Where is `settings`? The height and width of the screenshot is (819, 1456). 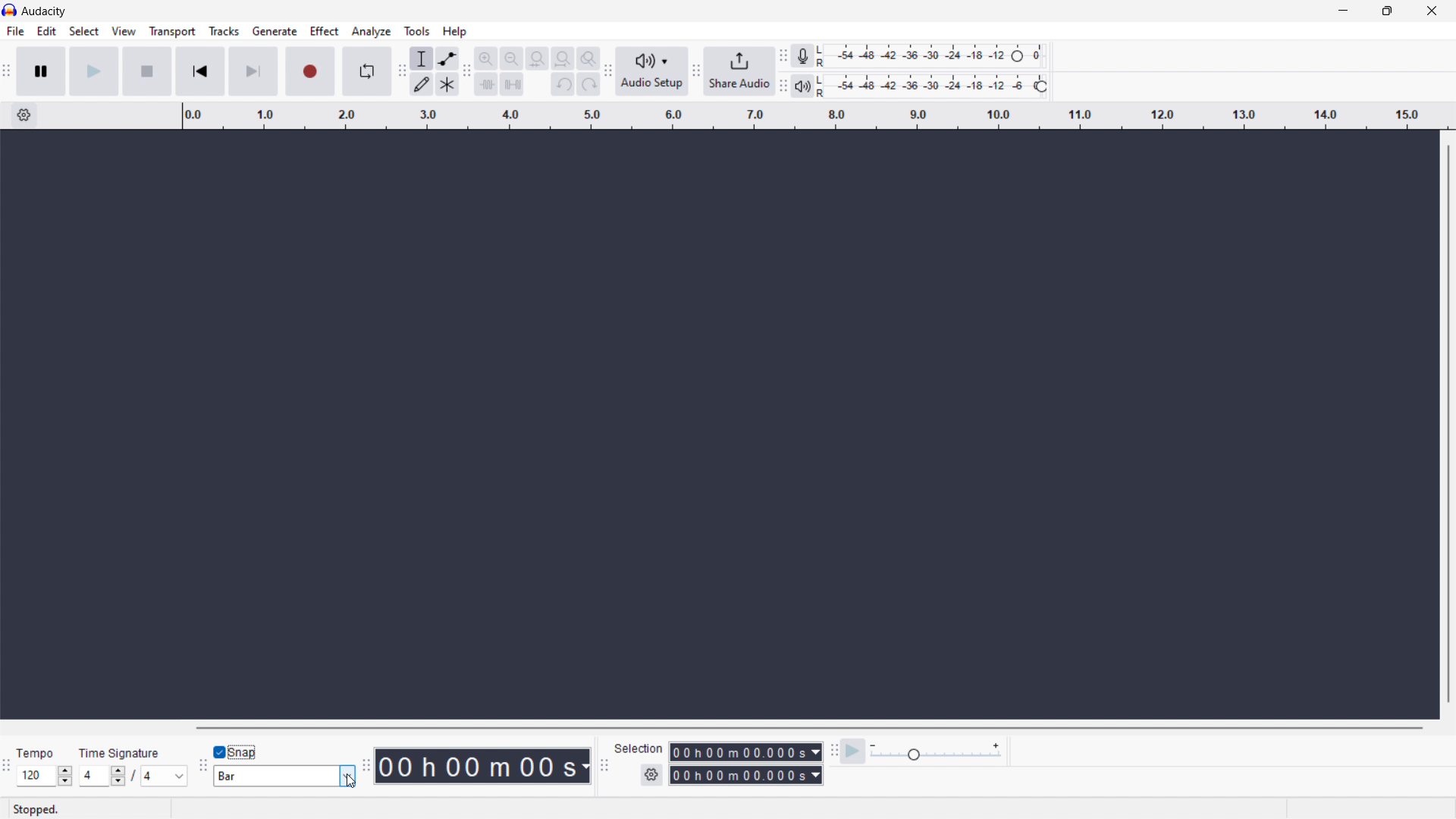 settings is located at coordinates (651, 774).